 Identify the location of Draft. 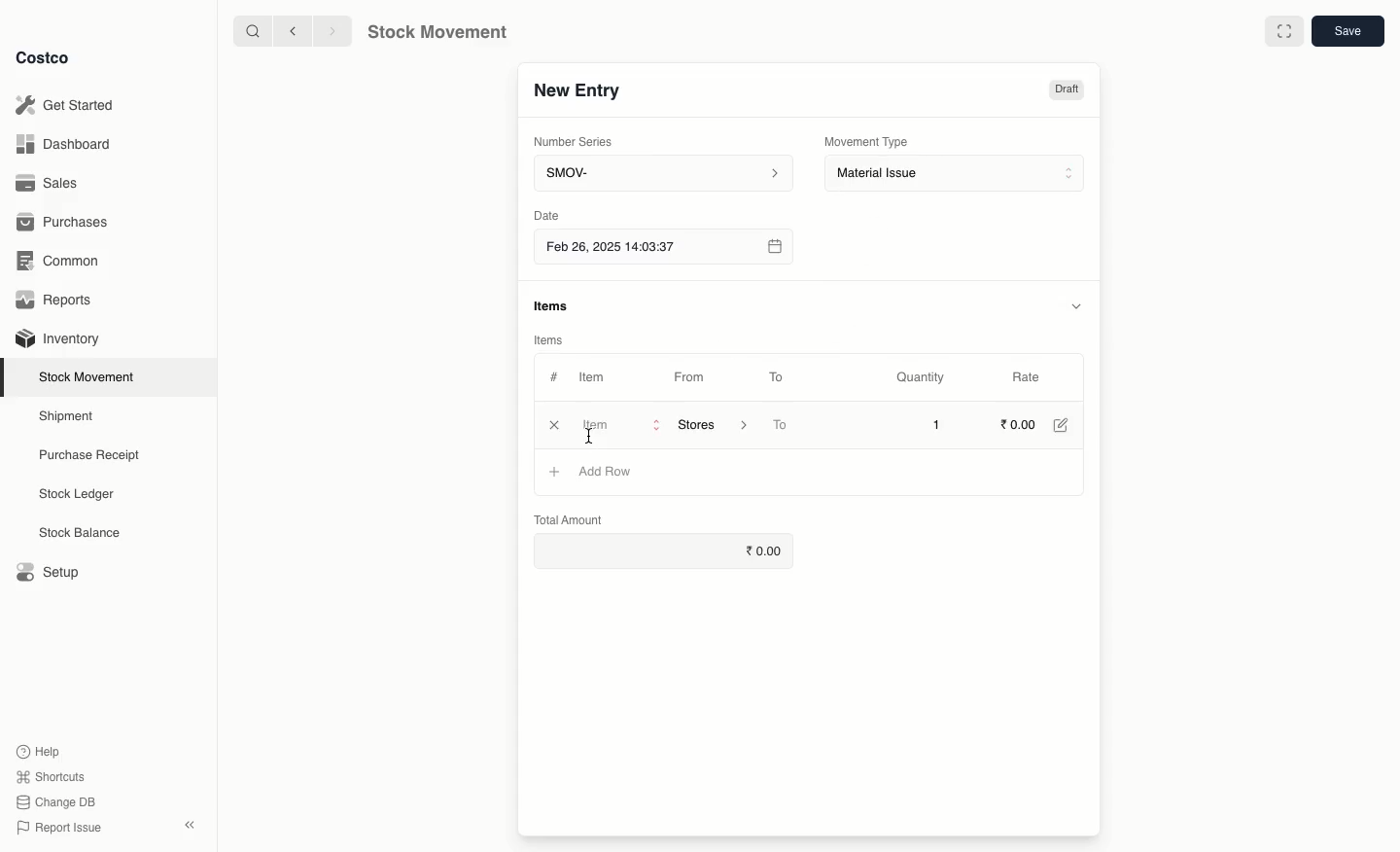
(1066, 91).